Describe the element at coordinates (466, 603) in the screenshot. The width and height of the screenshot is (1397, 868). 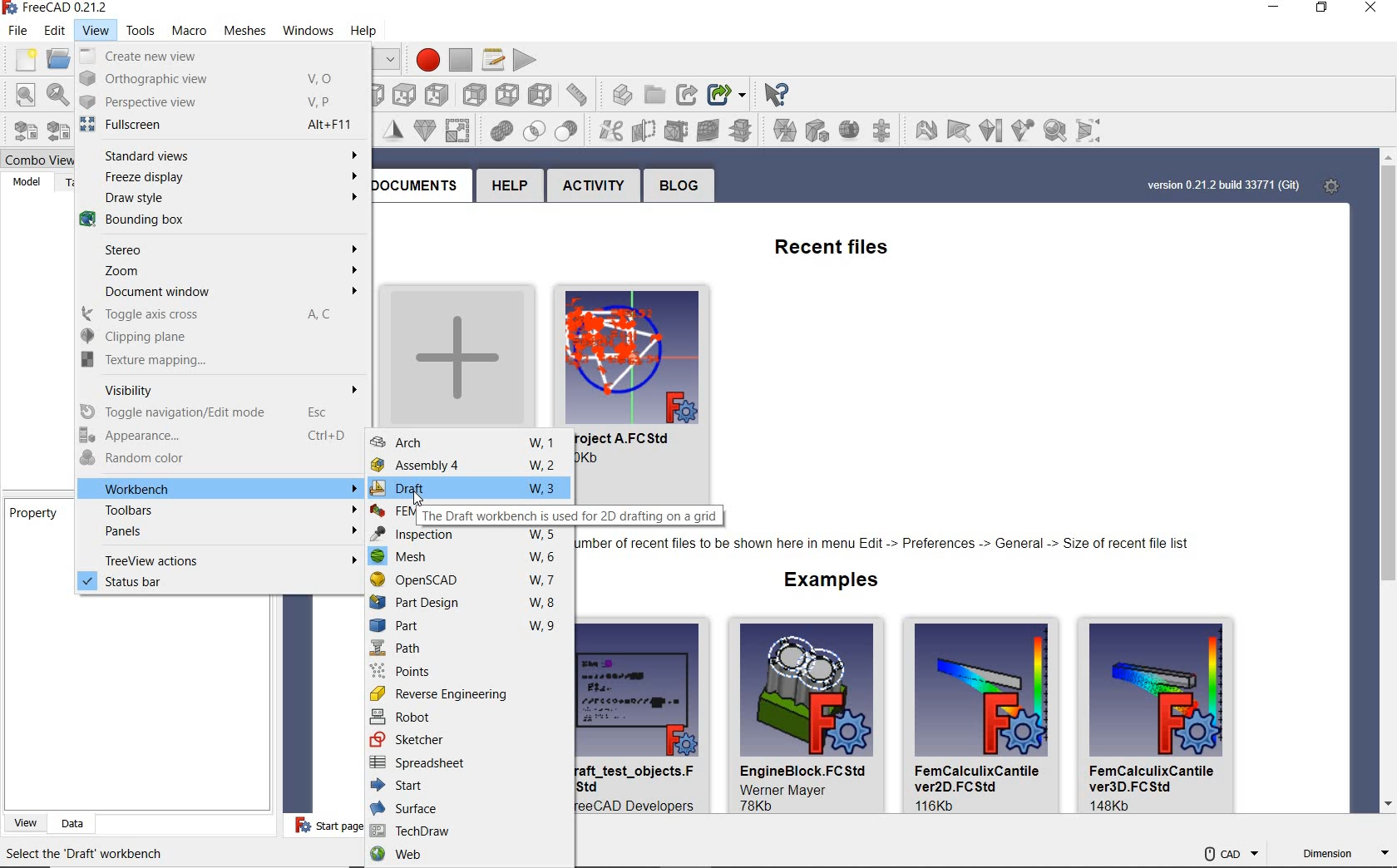
I see `part design` at that location.